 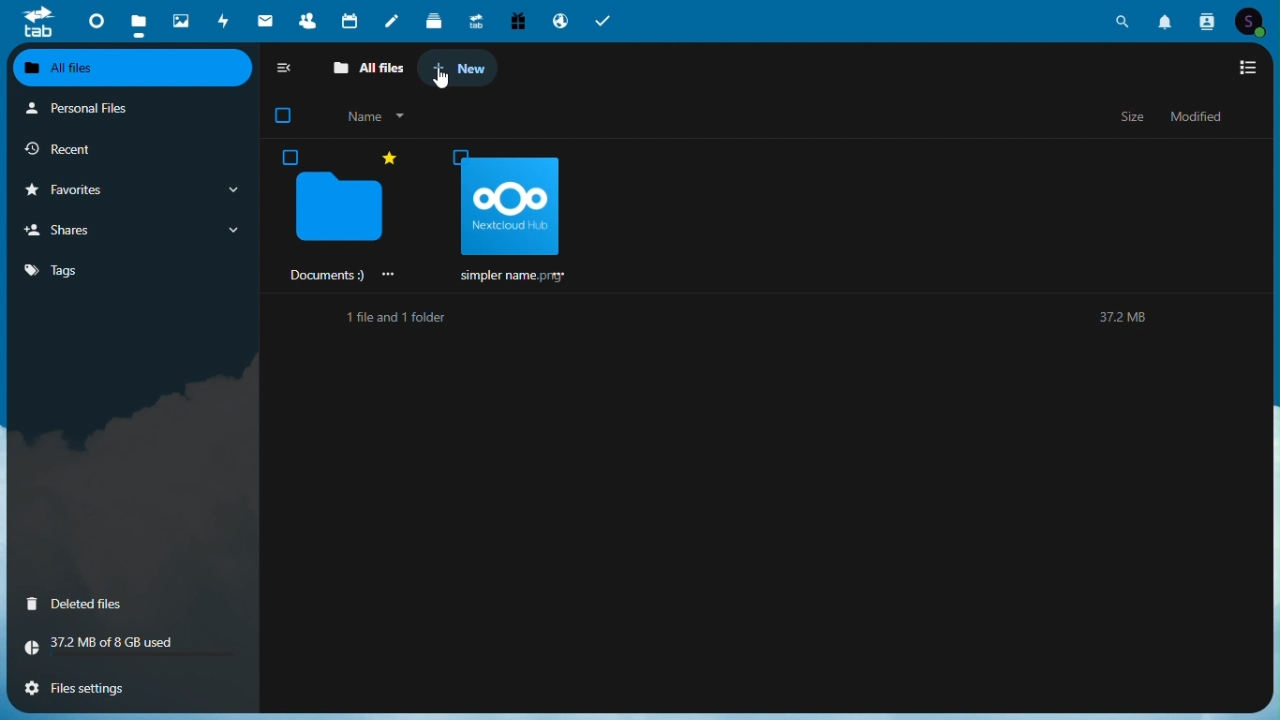 What do you see at coordinates (520, 19) in the screenshot?
I see `Free trial` at bounding box center [520, 19].